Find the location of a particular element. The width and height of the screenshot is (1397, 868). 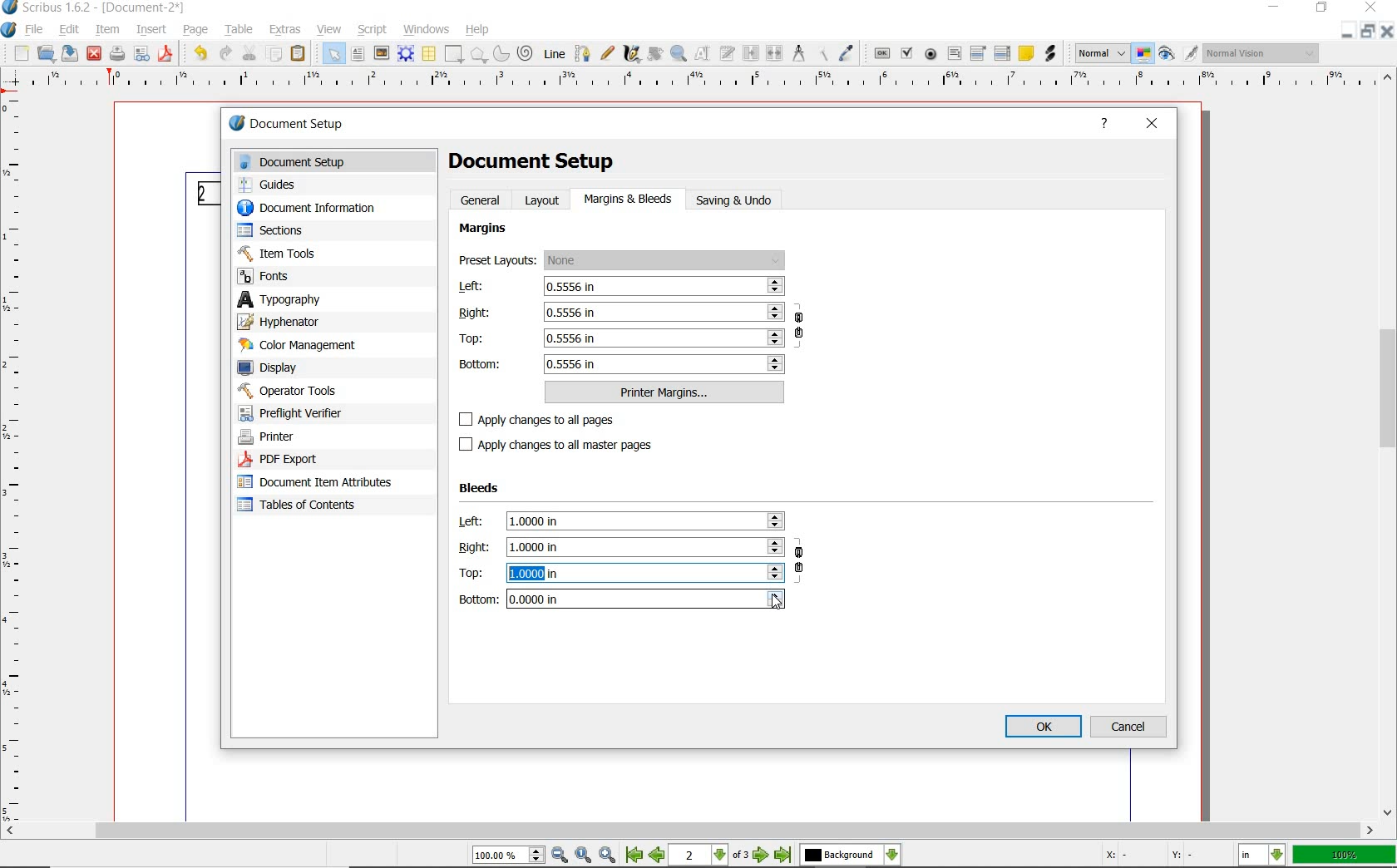

ensure all the bleeds have the same value is located at coordinates (800, 565).